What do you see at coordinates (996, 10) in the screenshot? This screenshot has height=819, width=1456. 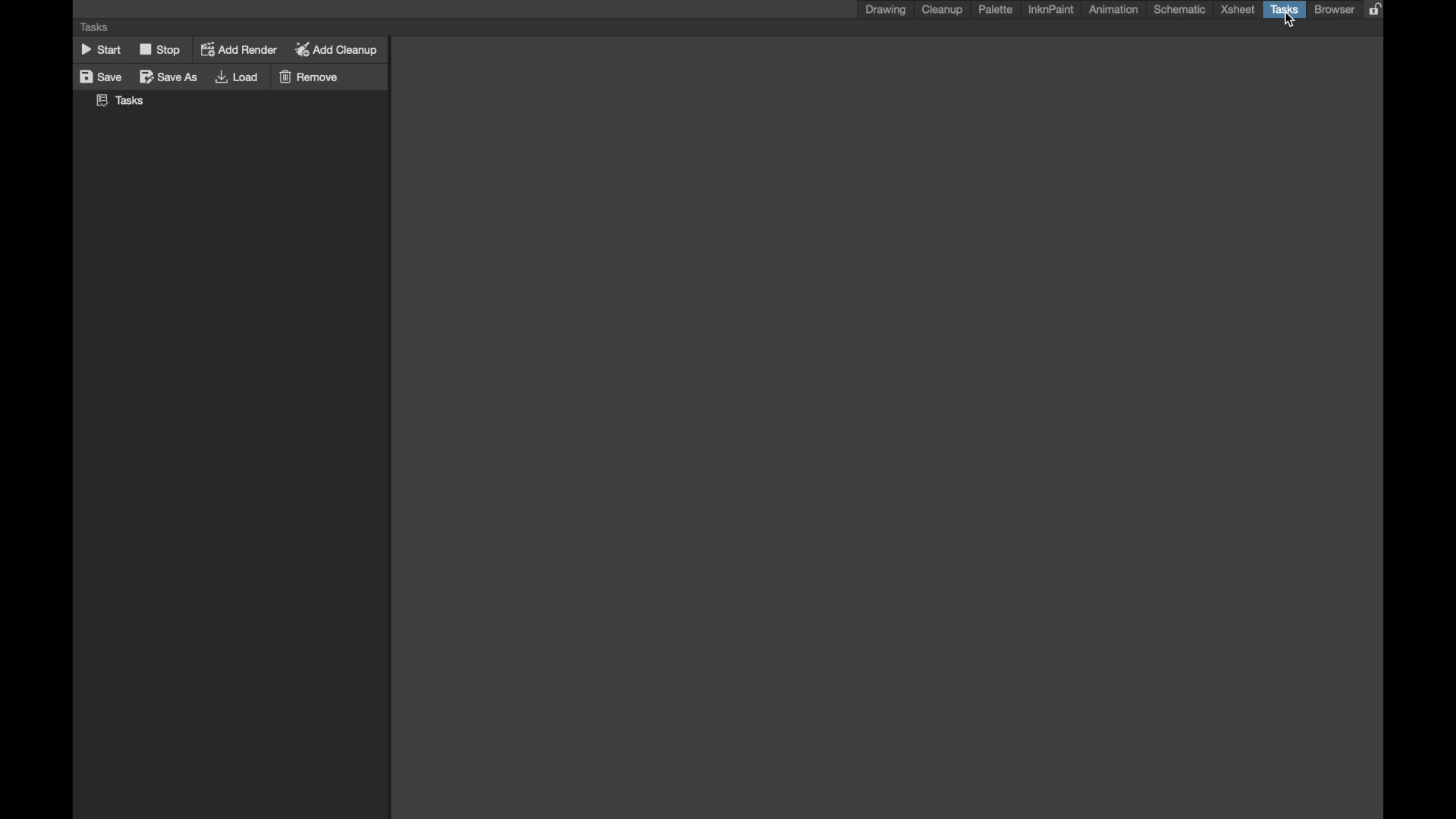 I see `palette` at bounding box center [996, 10].